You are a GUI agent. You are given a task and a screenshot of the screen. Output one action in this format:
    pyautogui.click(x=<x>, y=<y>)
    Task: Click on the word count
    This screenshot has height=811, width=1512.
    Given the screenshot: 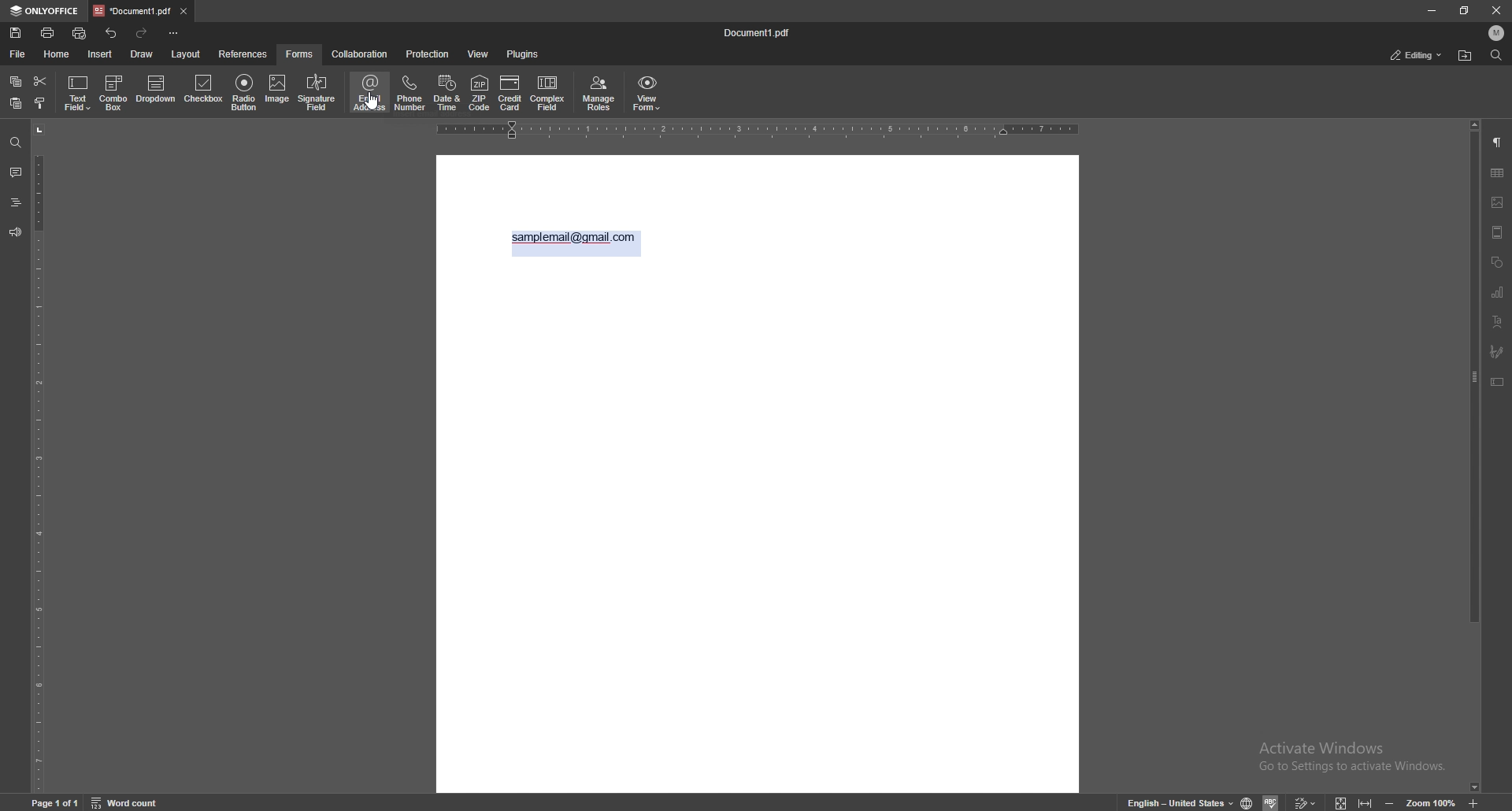 What is the action you would take?
    pyautogui.click(x=125, y=802)
    